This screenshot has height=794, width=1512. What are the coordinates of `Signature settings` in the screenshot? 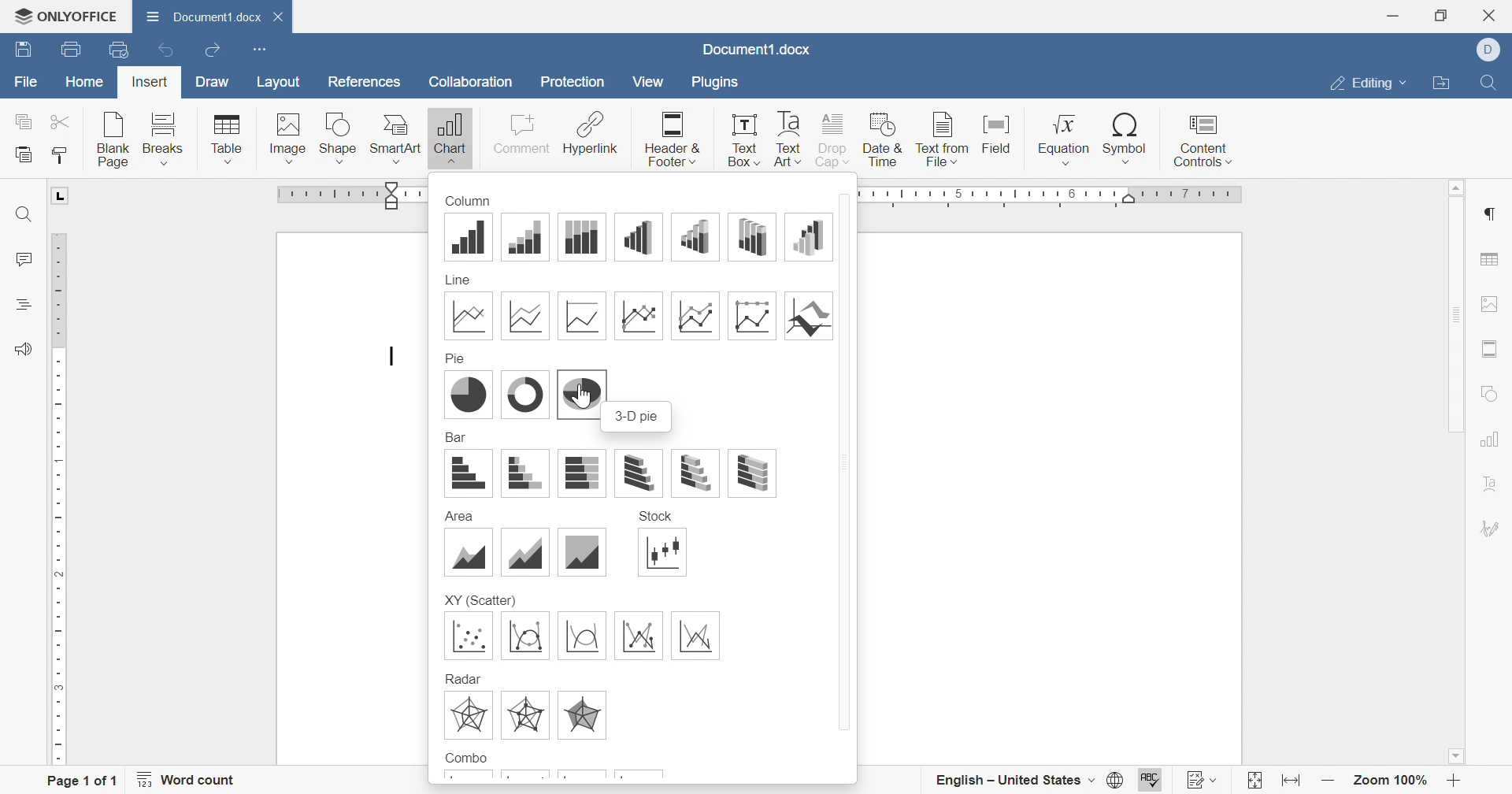 It's located at (1495, 527).